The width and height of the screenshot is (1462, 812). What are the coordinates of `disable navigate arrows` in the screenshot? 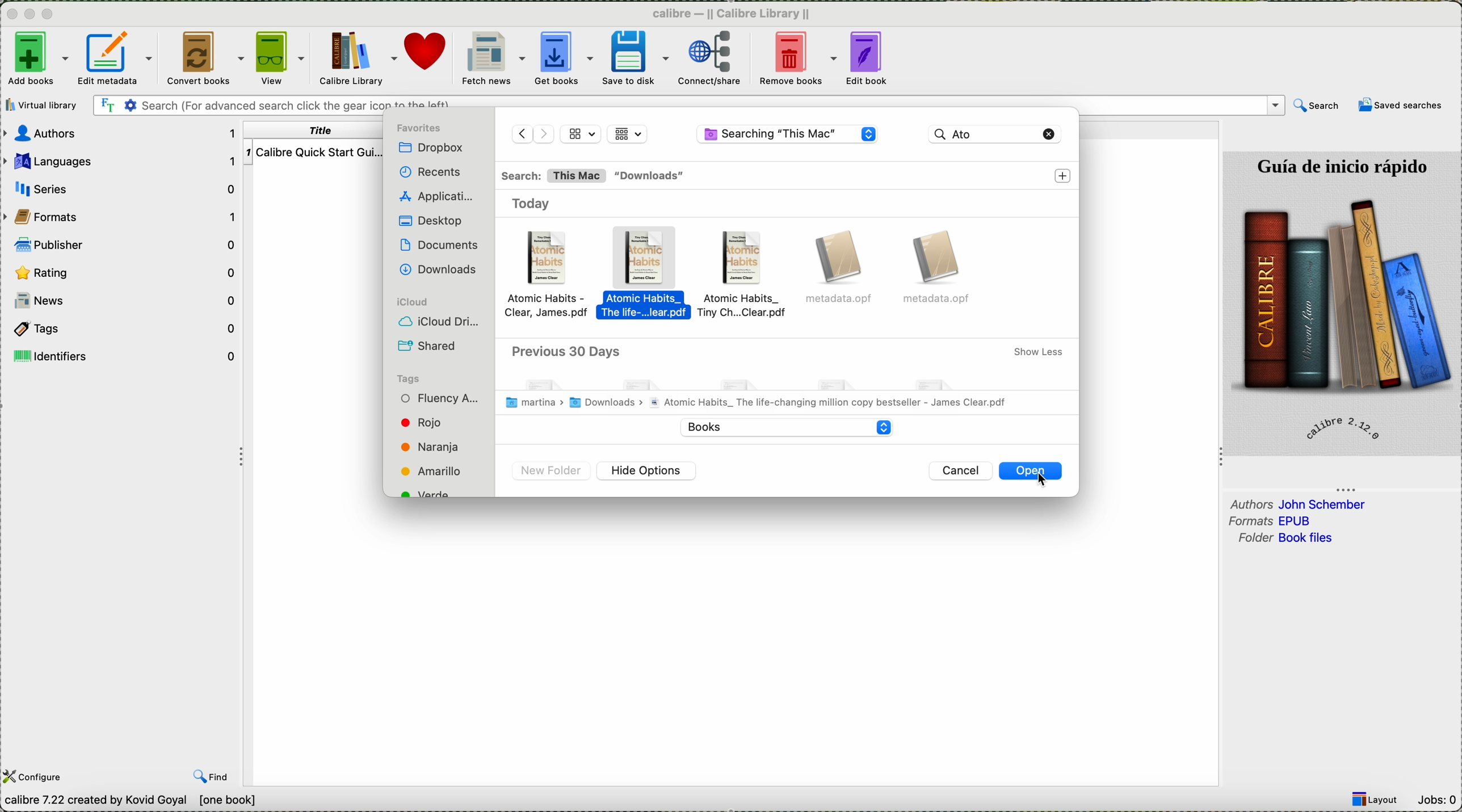 It's located at (532, 132).